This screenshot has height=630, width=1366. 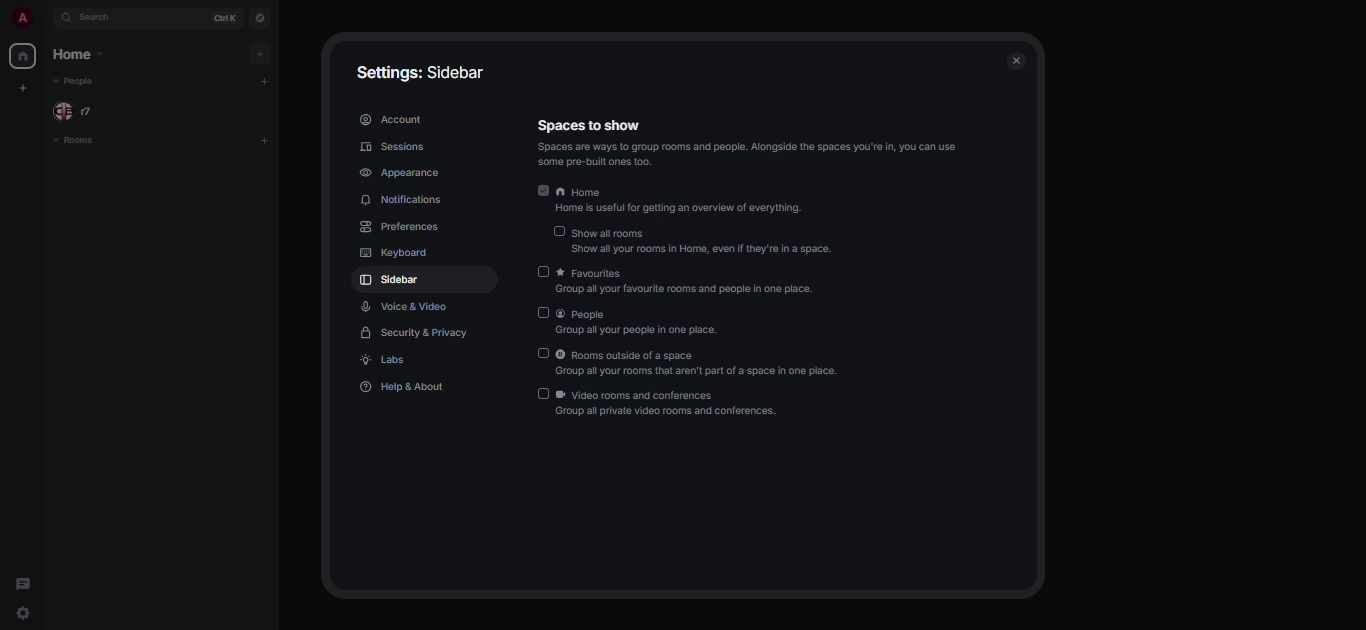 What do you see at coordinates (82, 141) in the screenshot?
I see `rooms` at bounding box center [82, 141].